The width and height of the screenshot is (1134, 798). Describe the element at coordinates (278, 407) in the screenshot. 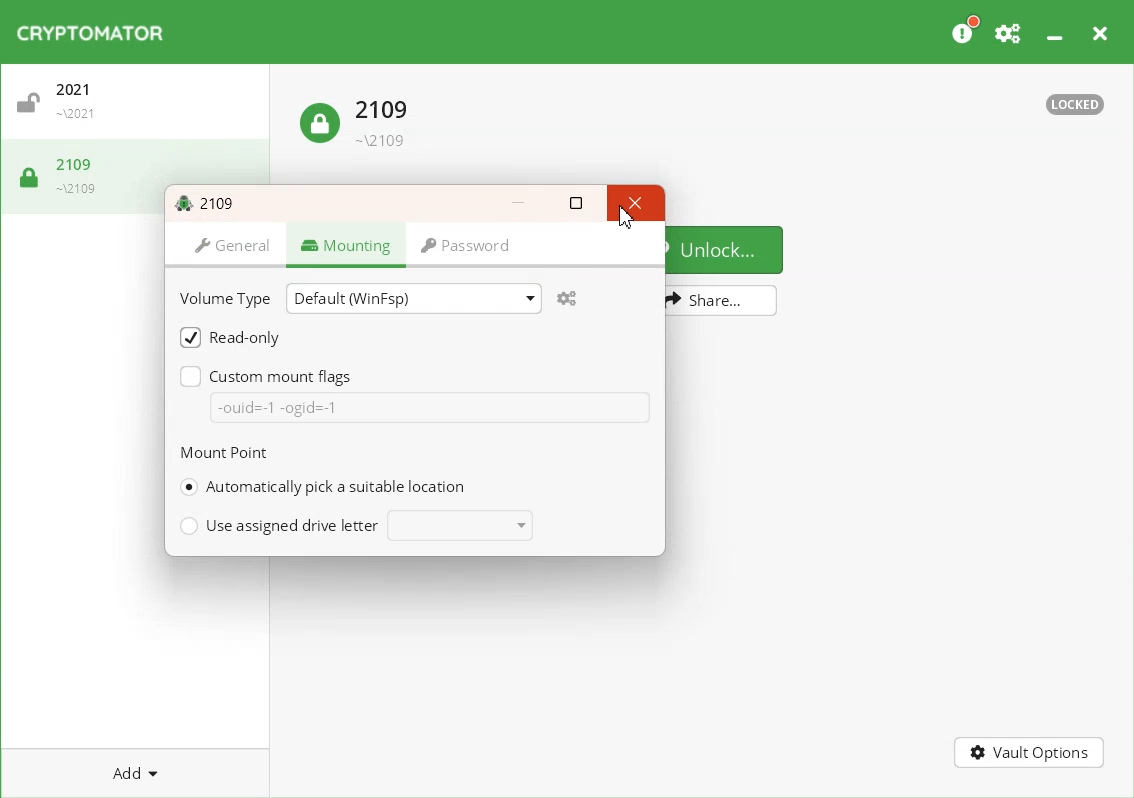

I see `Text` at that location.